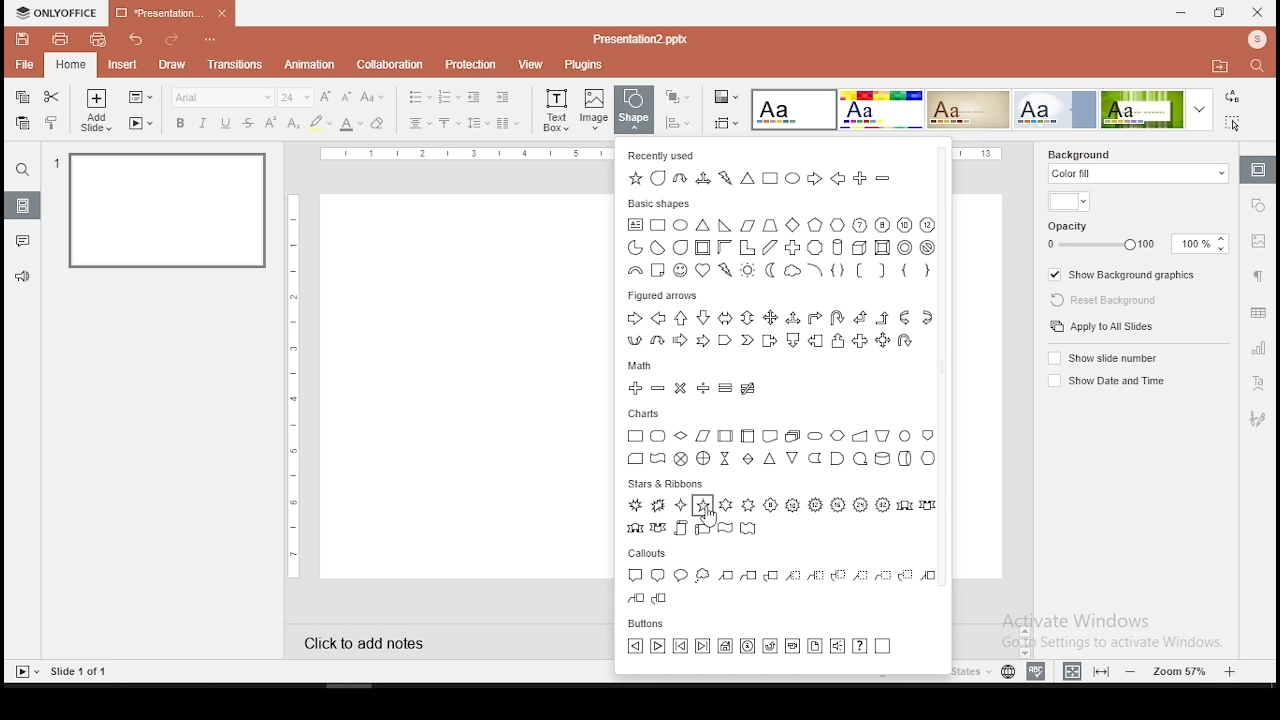 This screenshot has width=1280, height=720. Describe the element at coordinates (1182, 14) in the screenshot. I see `minimize` at that location.